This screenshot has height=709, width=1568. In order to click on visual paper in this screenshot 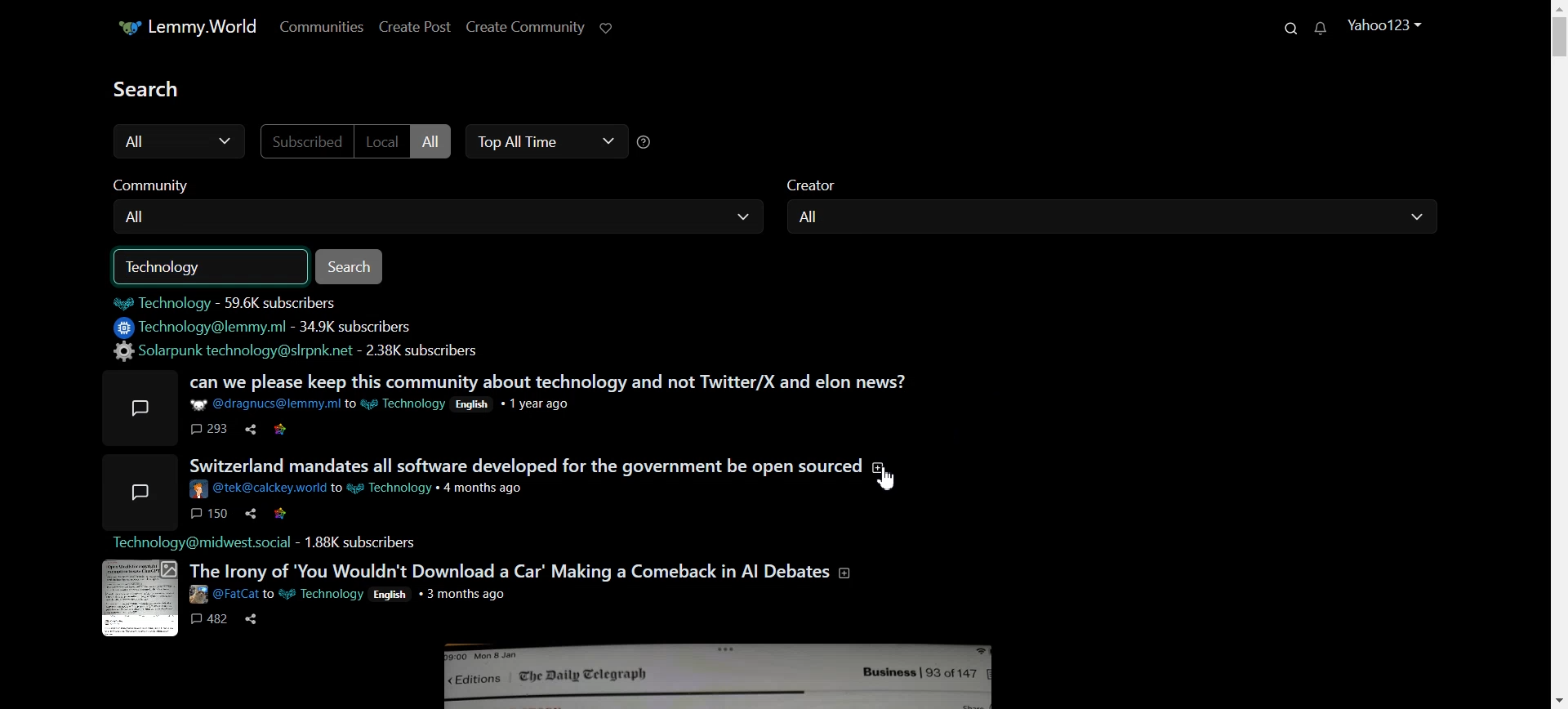, I will do `click(719, 676)`.